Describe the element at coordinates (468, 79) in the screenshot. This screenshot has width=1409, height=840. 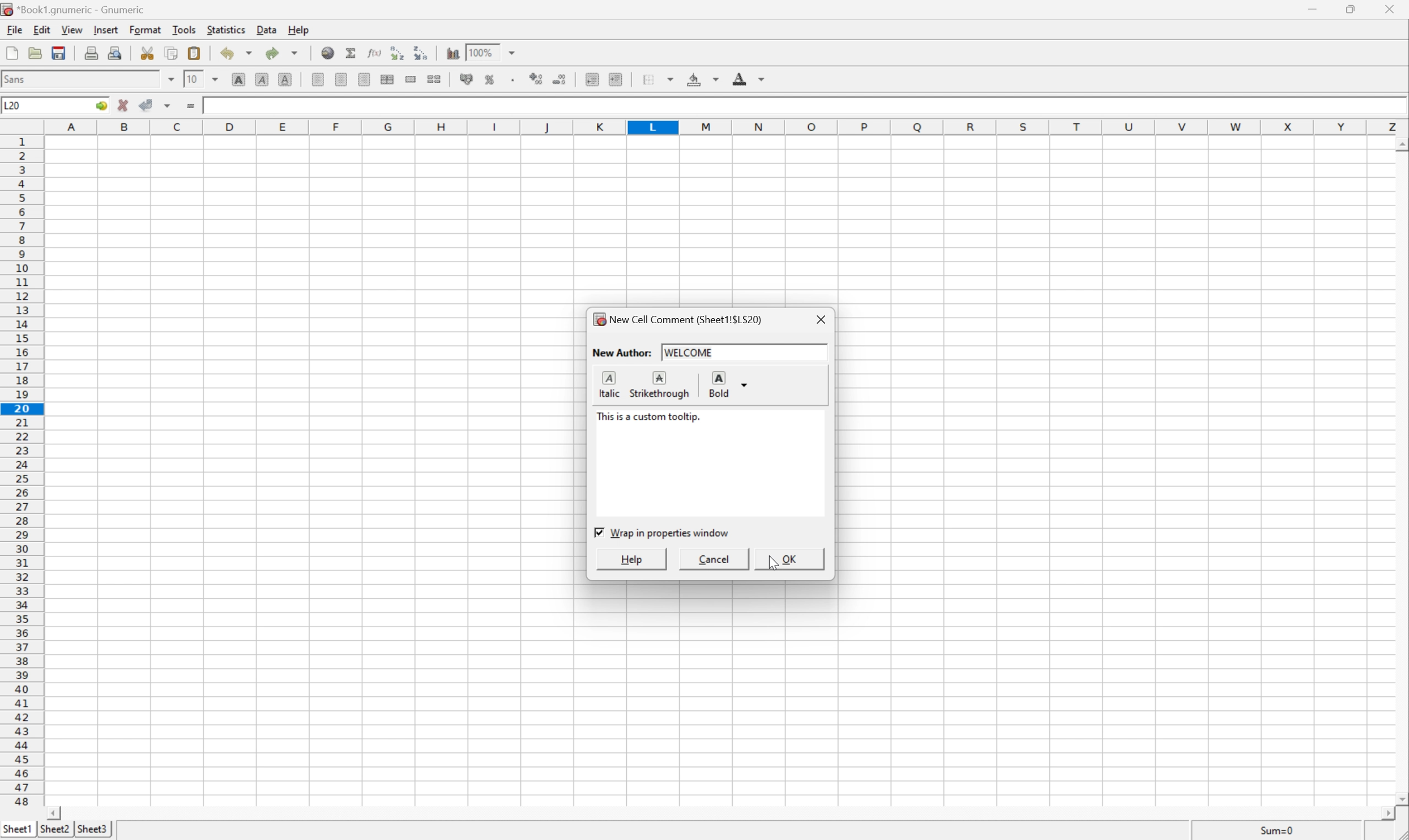
I see `Format the selection of accounting` at that location.